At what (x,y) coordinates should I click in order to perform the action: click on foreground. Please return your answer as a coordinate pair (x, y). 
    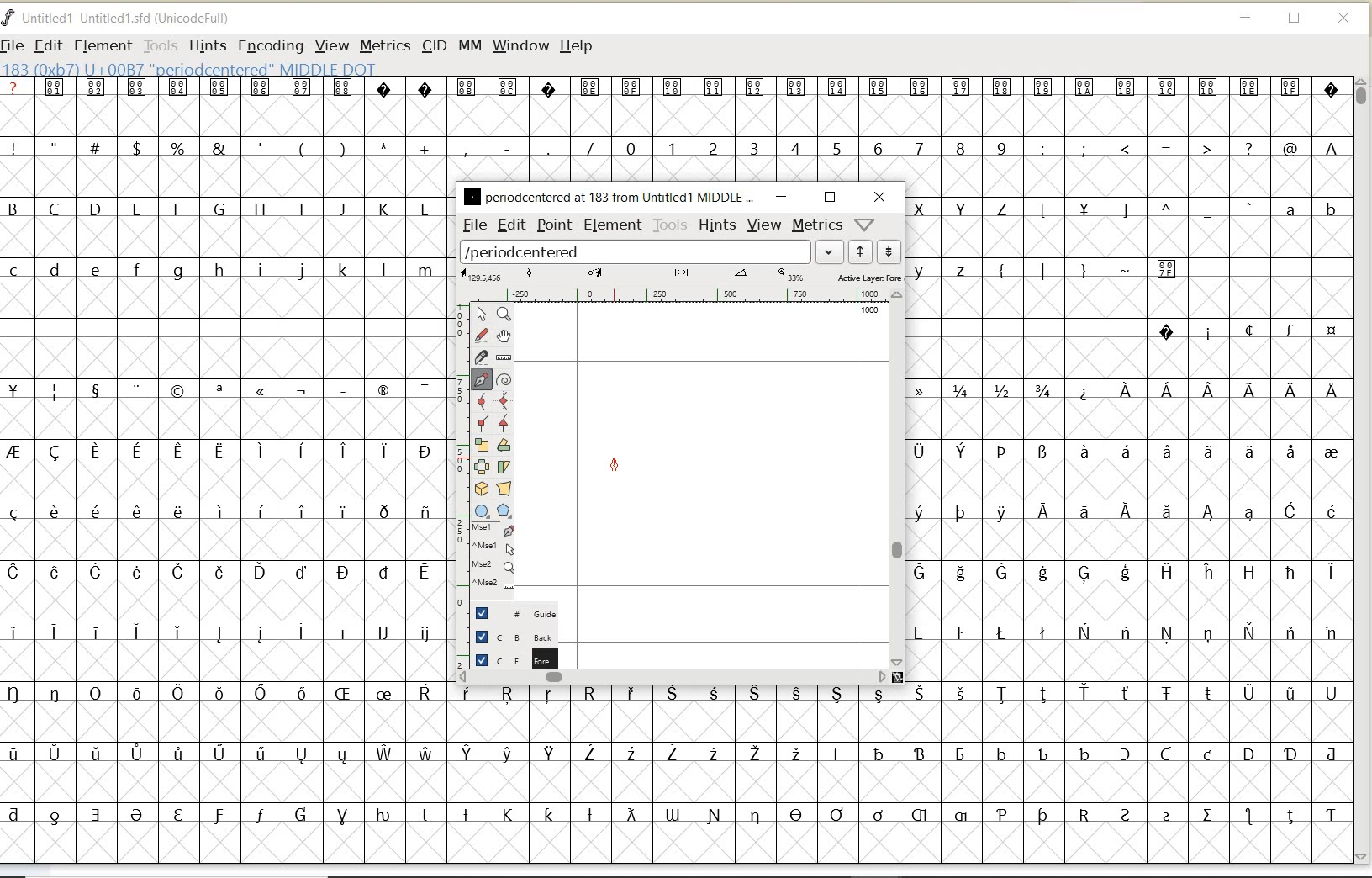
    Looking at the image, I should click on (510, 658).